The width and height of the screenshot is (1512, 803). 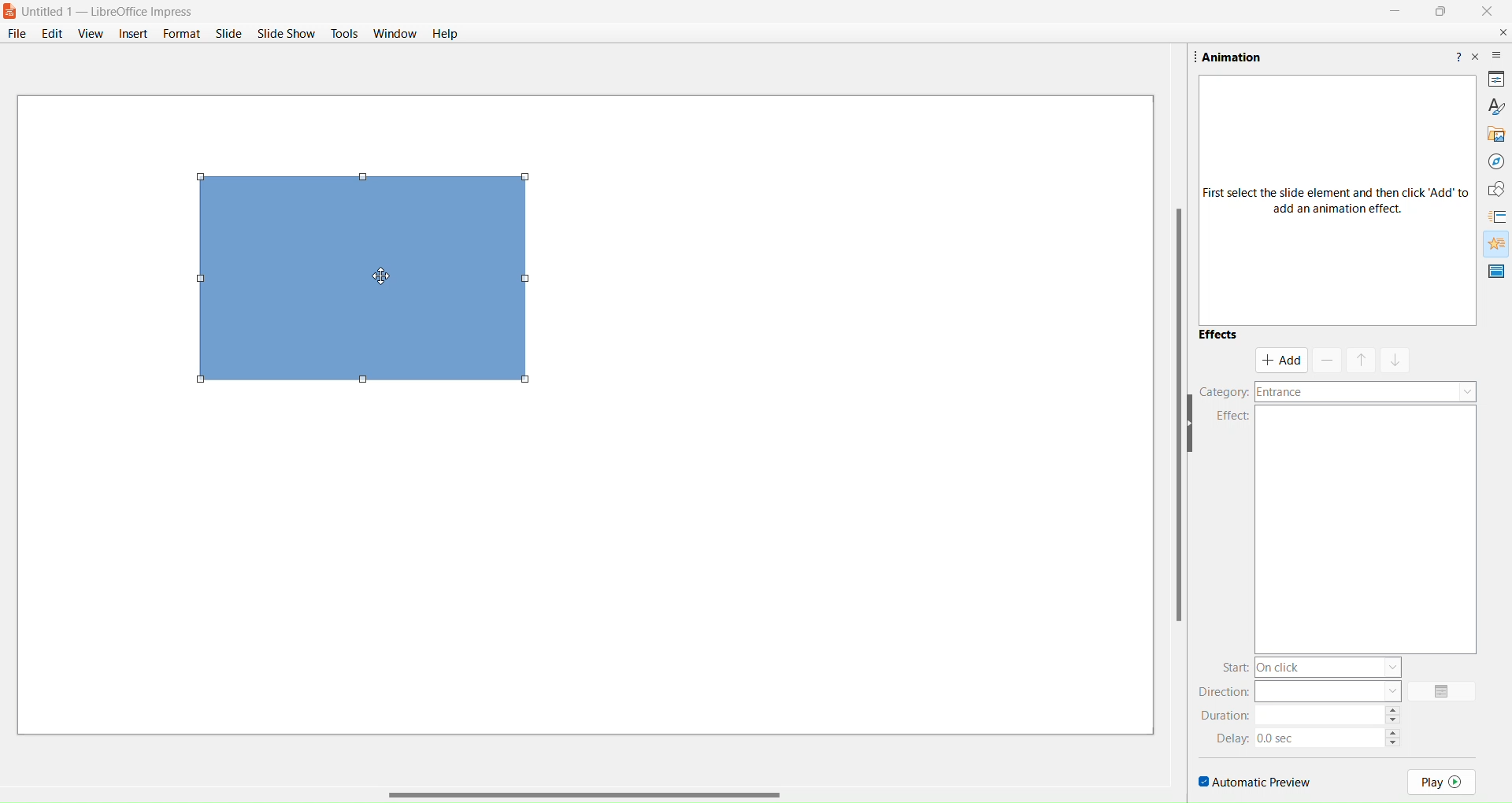 What do you see at coordinates (584, 787) in the screenshot?
I see `scroll bar` at bounding box center [584, 787].